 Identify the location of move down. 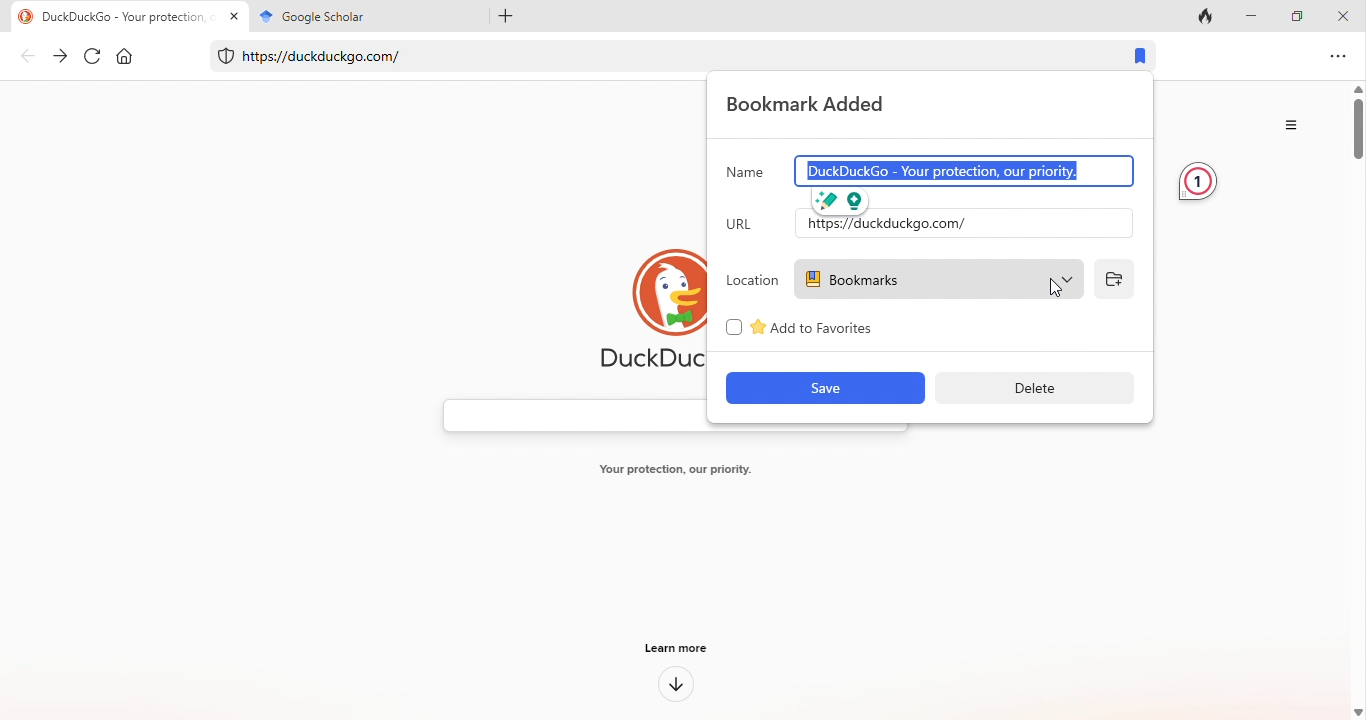
(1357, 711).